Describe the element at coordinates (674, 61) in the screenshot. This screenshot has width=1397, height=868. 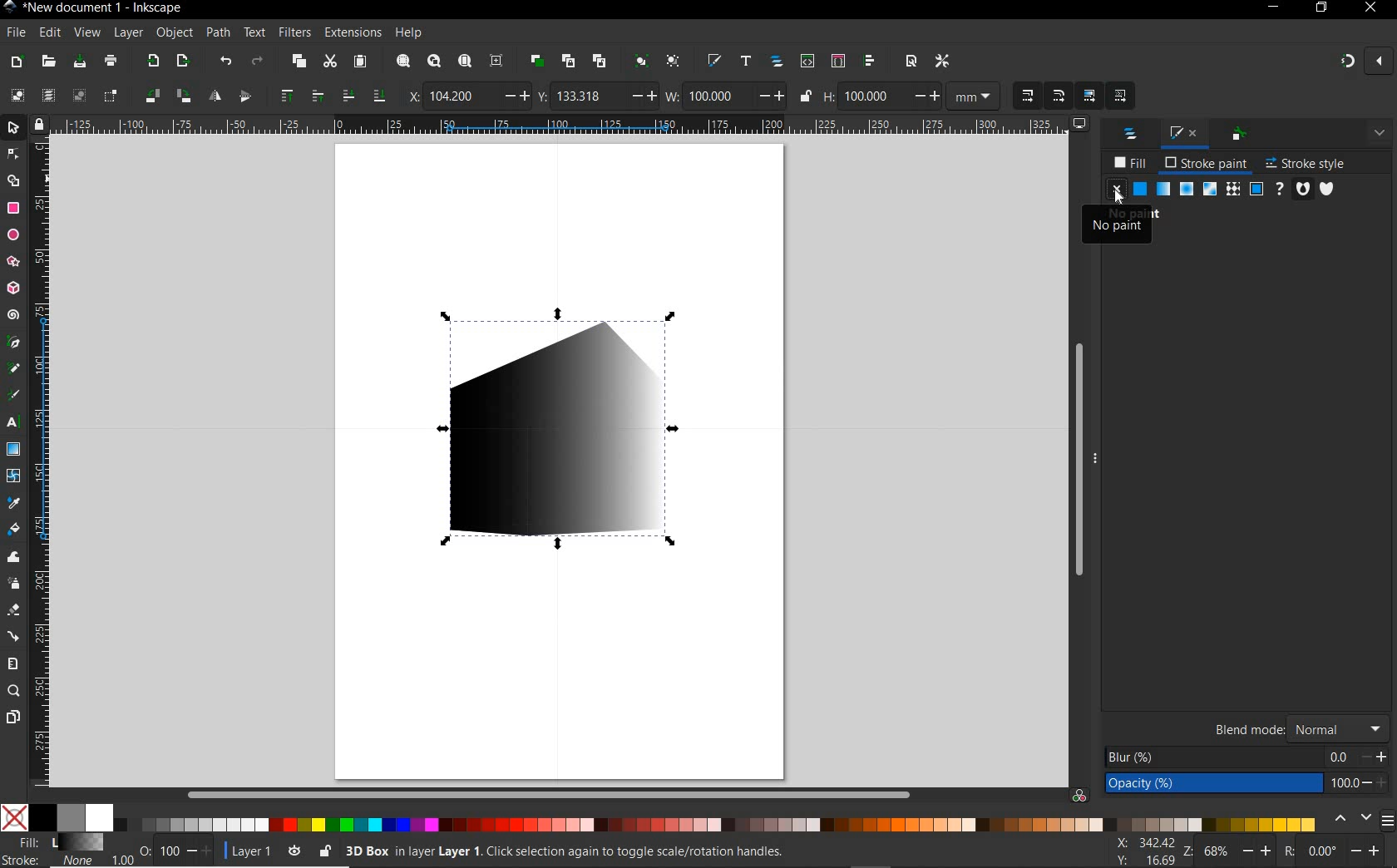
I see `UNGROUP` at that location.